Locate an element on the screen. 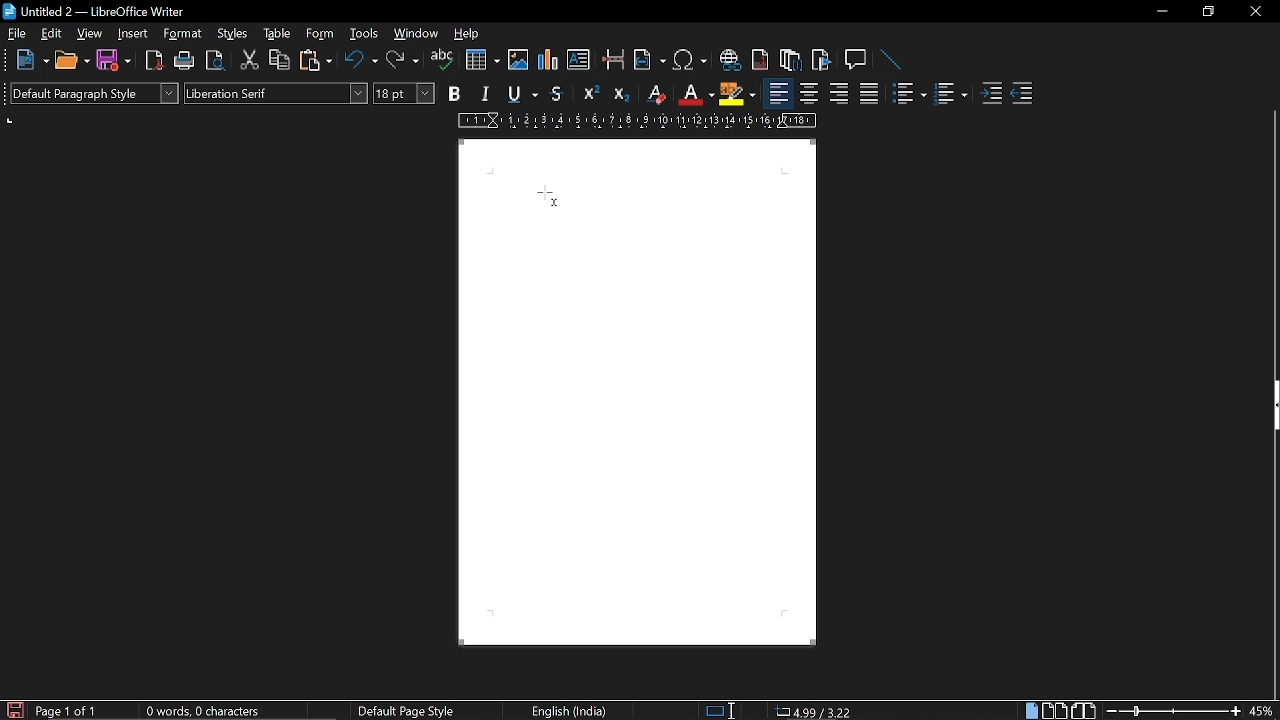 The image size is (1280, 720). Default: page style is located at coordinates (406, 712).